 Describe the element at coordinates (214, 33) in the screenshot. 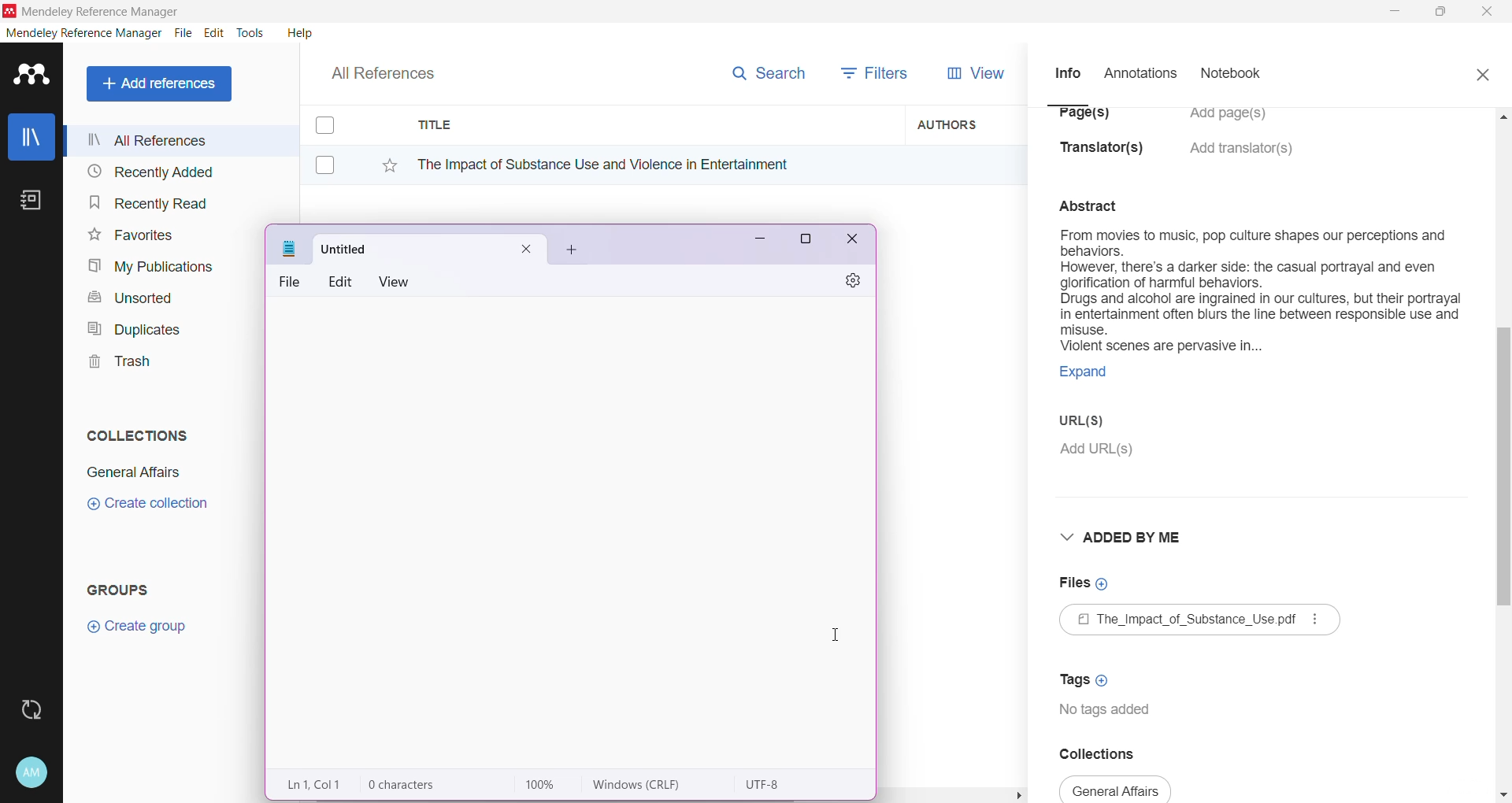

I see `Edit` at that location.